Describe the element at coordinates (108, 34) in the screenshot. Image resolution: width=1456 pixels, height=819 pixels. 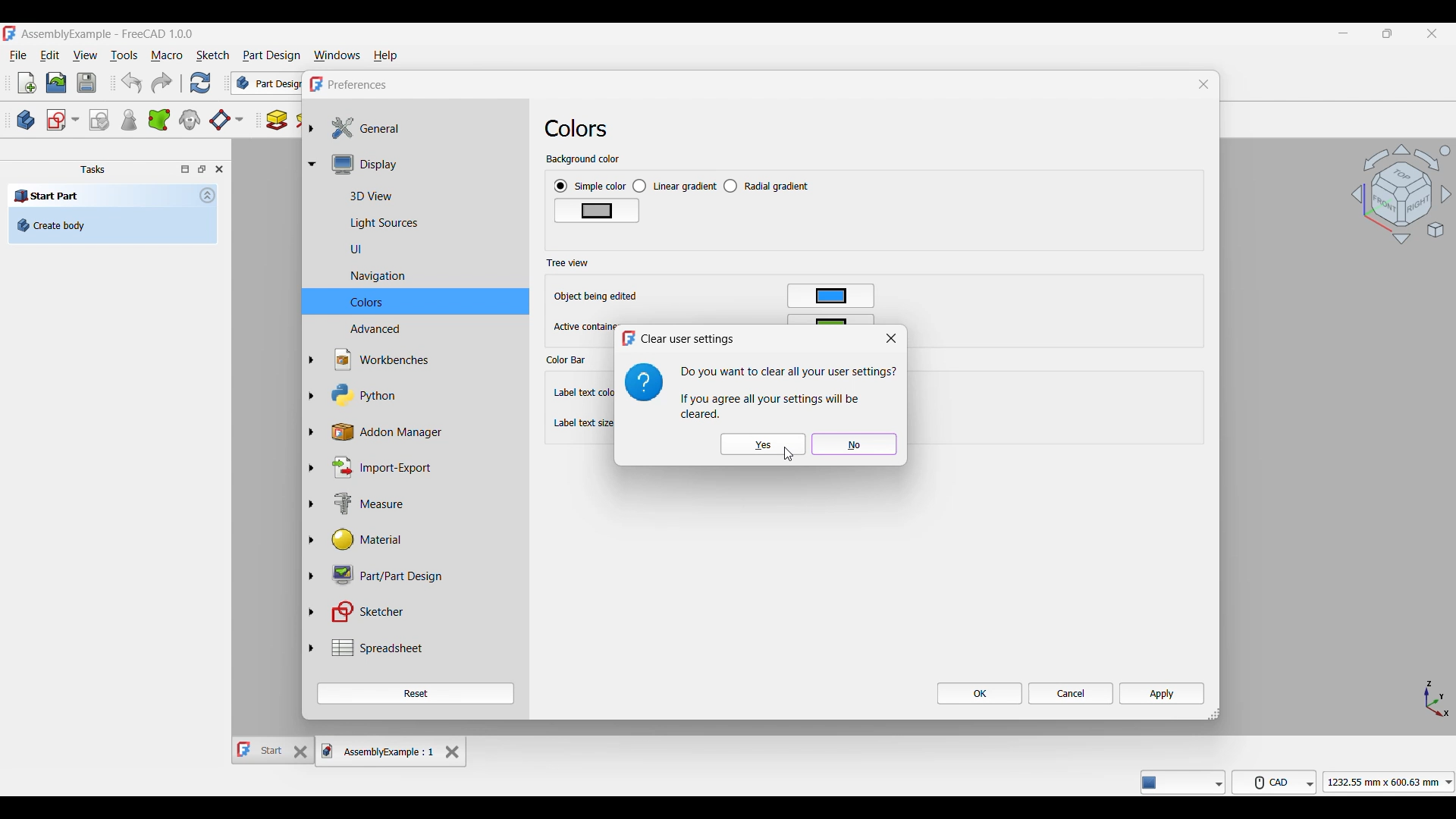
I see `AssemblyExample - FreeCAD 1.0.0` at that location.